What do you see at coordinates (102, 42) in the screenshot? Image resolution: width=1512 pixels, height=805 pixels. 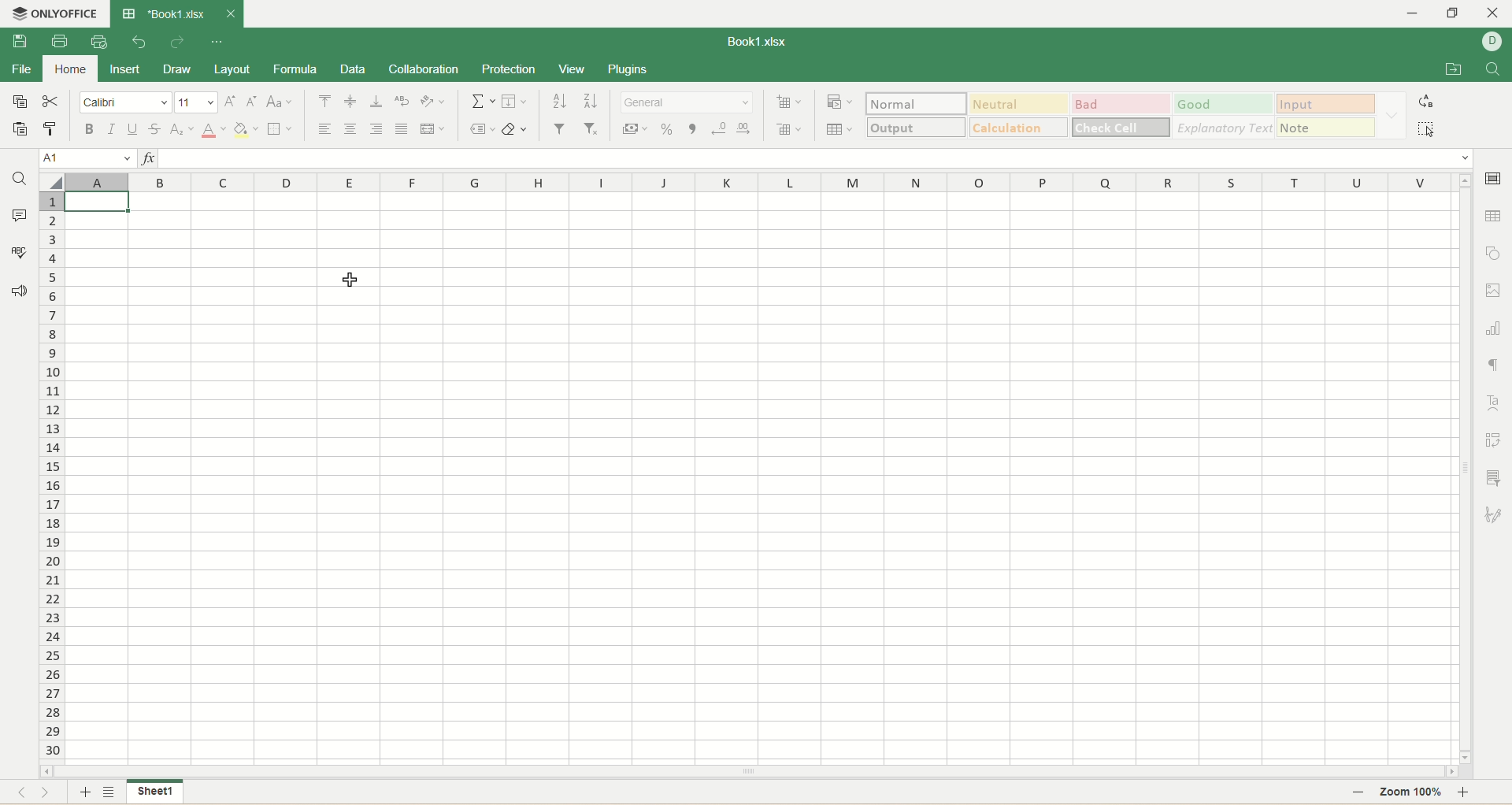 I see `quick print` at bounding box center [102, 42].